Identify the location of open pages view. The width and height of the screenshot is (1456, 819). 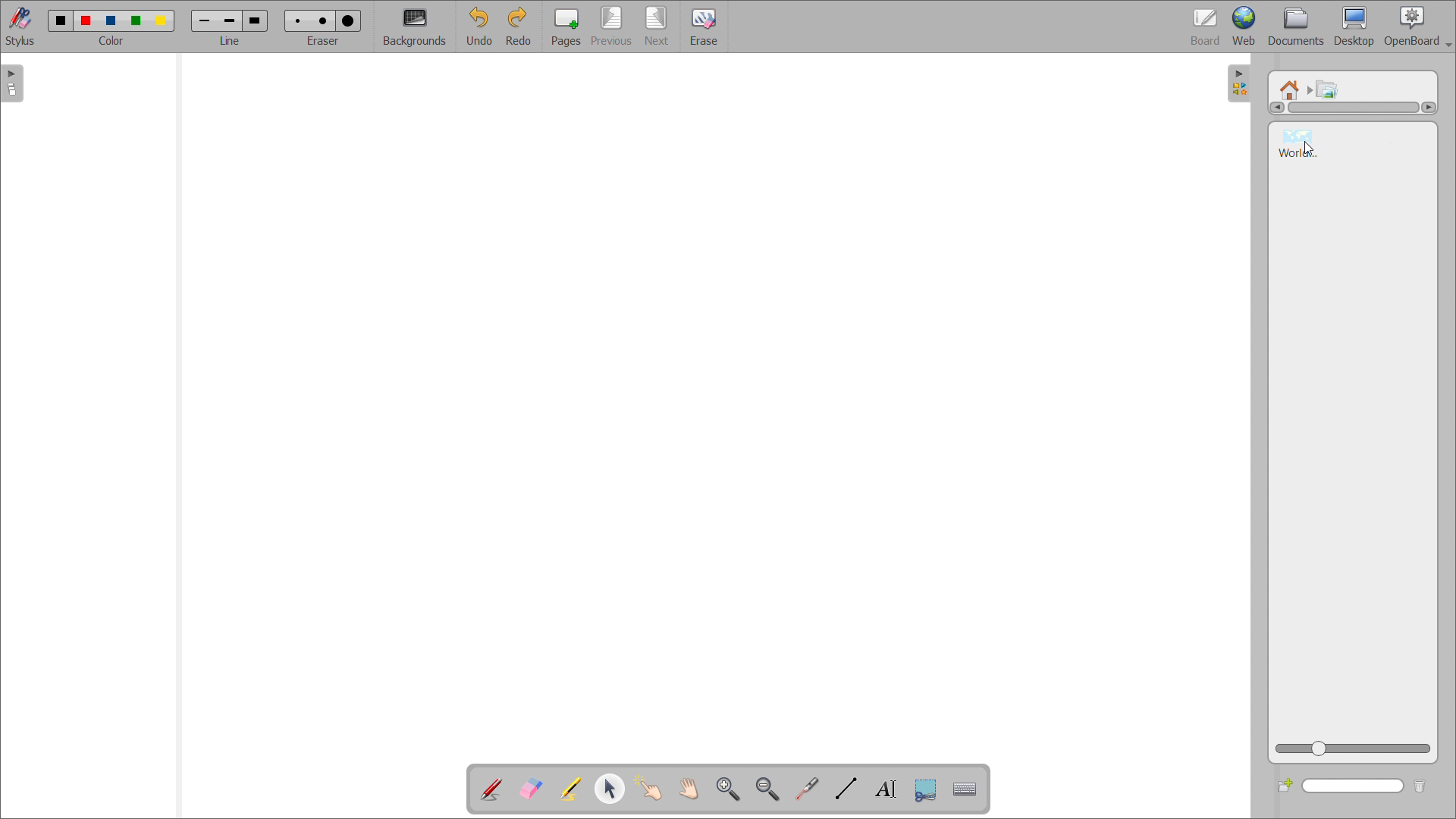
(11, 84).